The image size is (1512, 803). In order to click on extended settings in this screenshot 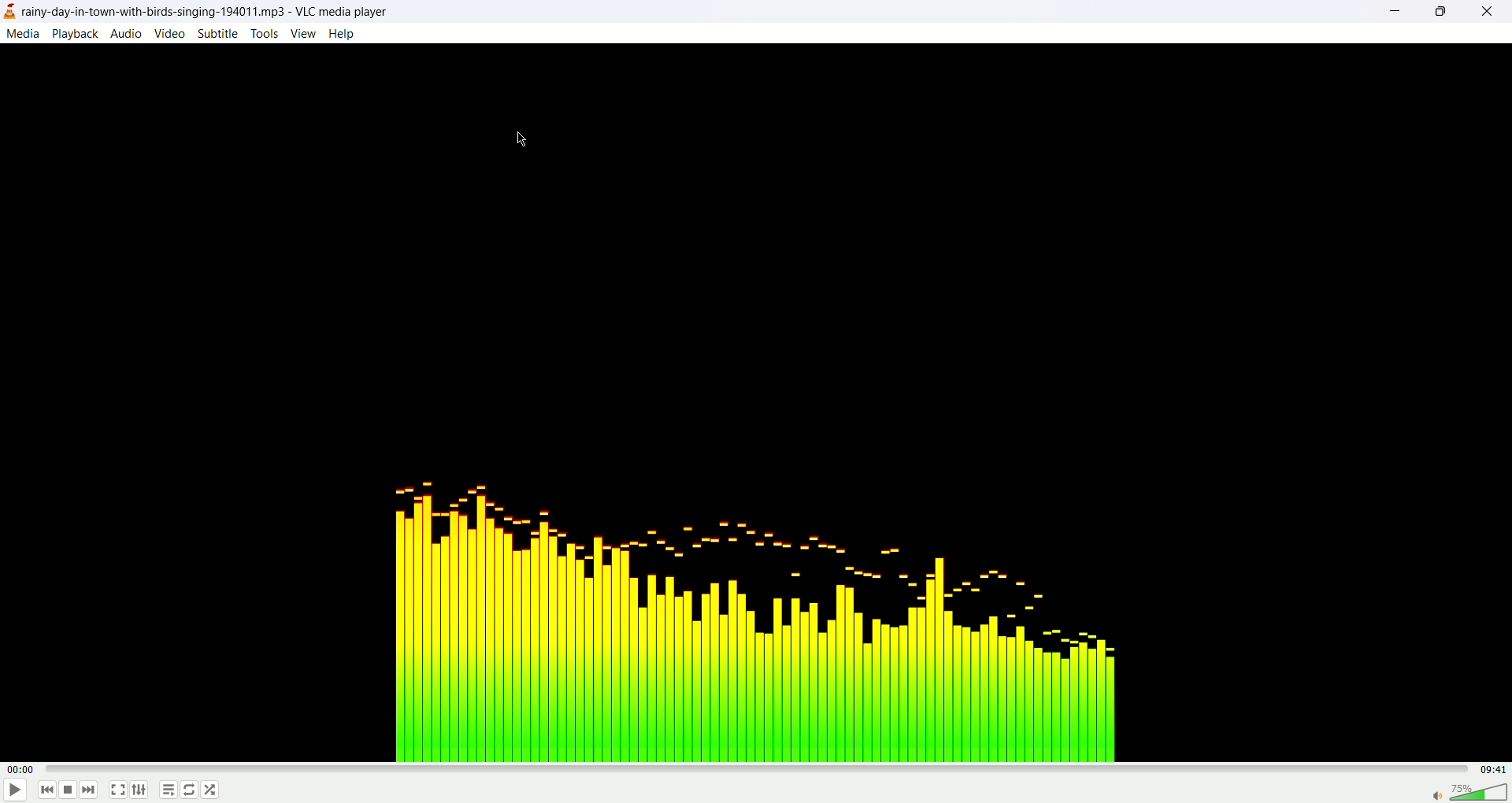, I will do `click(140, 791)`.